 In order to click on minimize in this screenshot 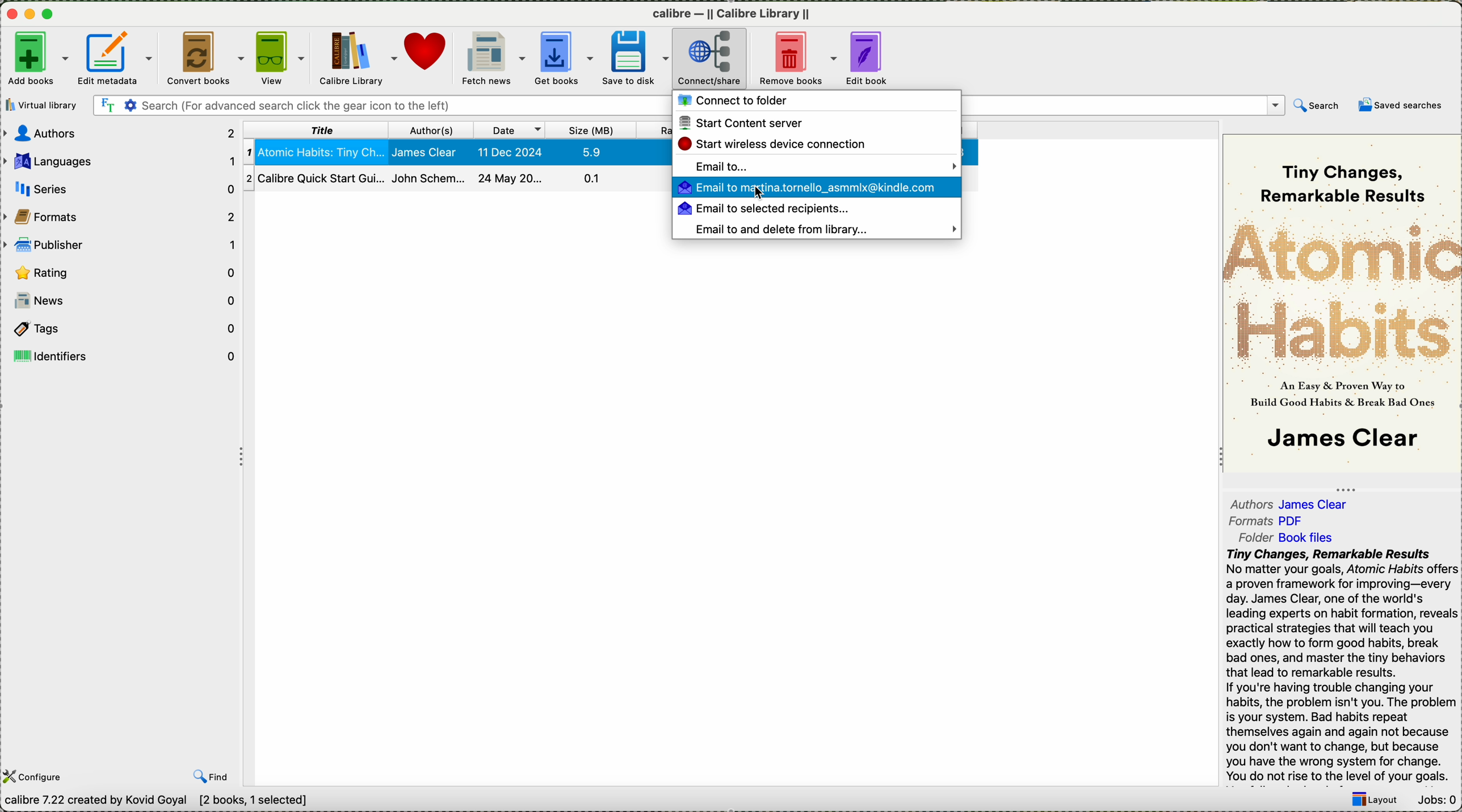, I will do `click(33, 15)`.